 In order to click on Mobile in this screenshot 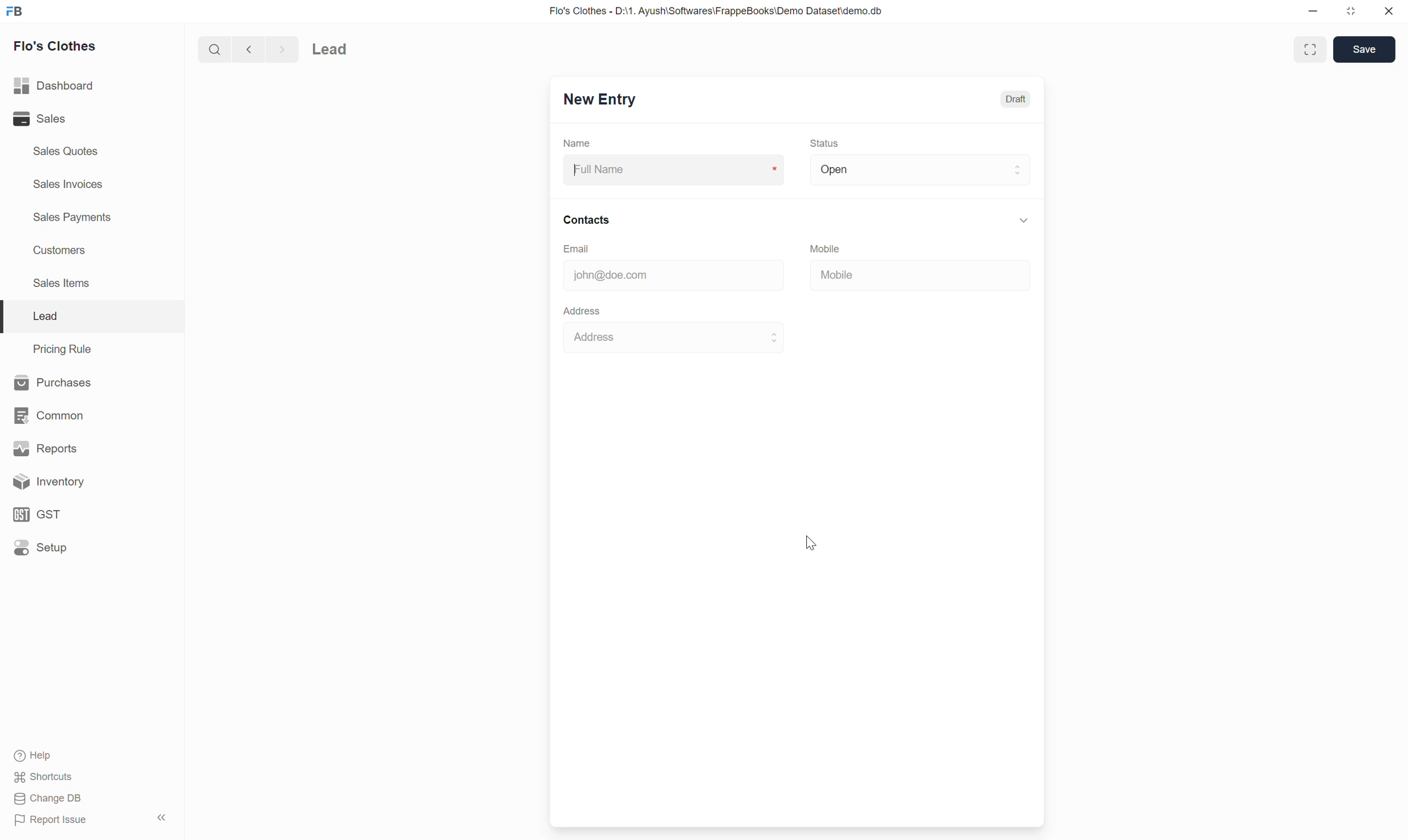, I will do `click(831, 246)`.